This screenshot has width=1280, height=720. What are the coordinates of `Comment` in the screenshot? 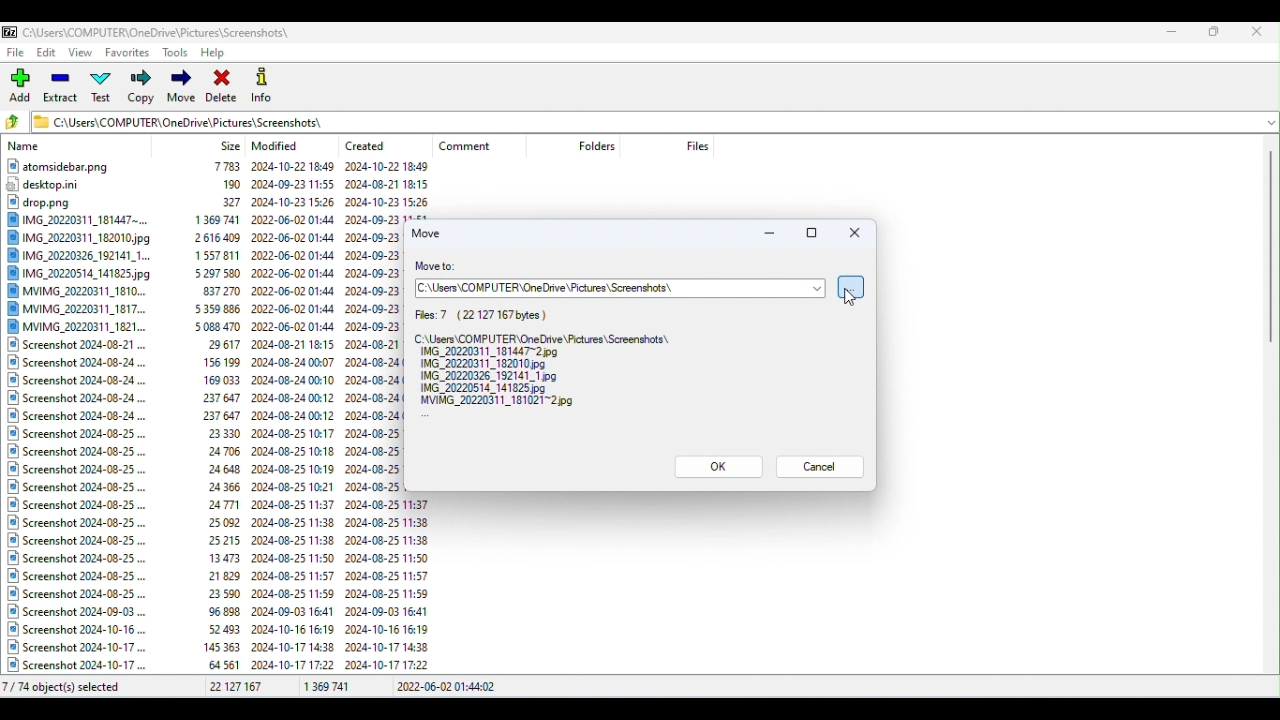 It's located at (474, 146).